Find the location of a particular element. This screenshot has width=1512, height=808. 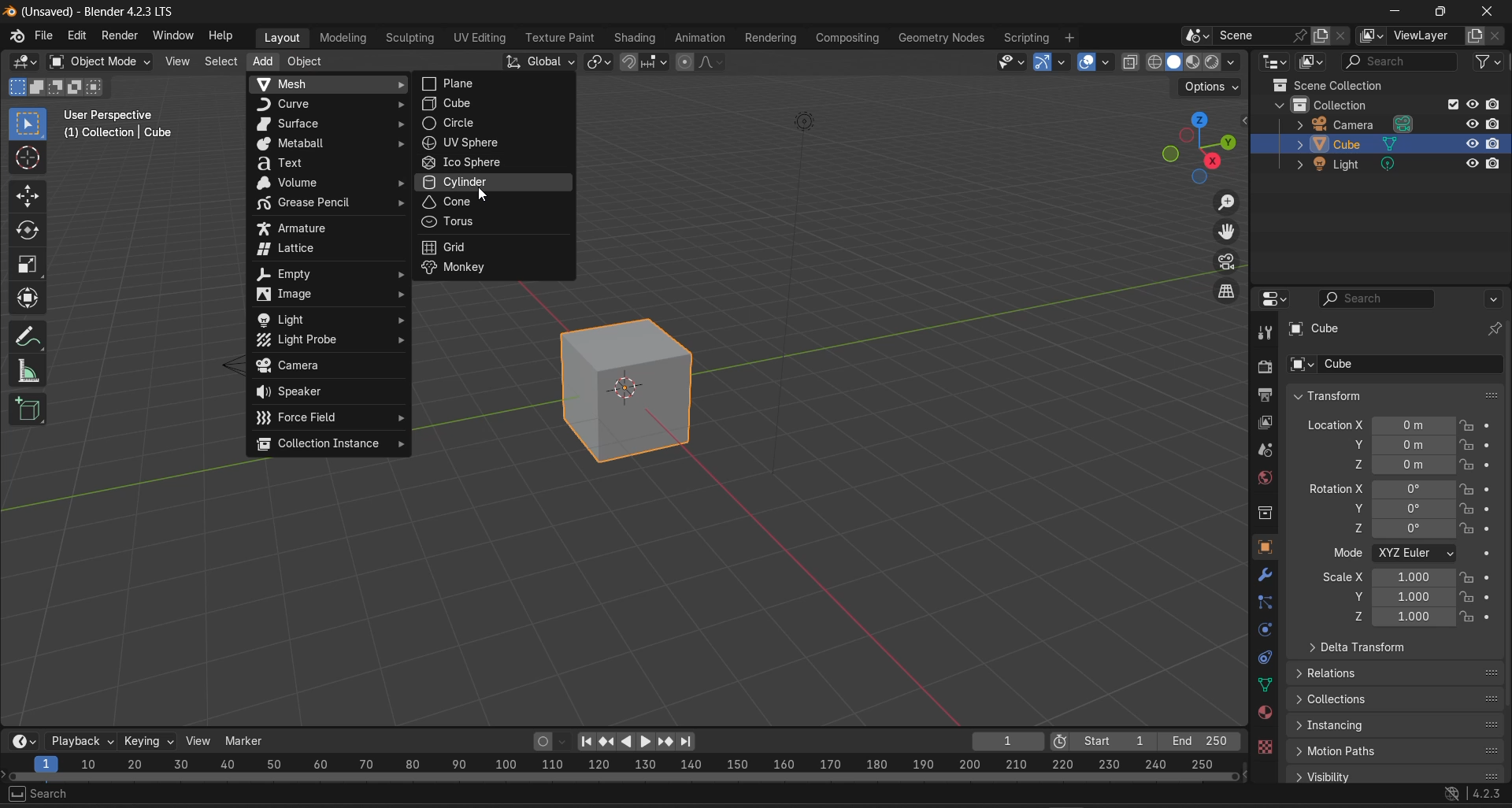

geometry nodes is located at coordinates (942, 35).